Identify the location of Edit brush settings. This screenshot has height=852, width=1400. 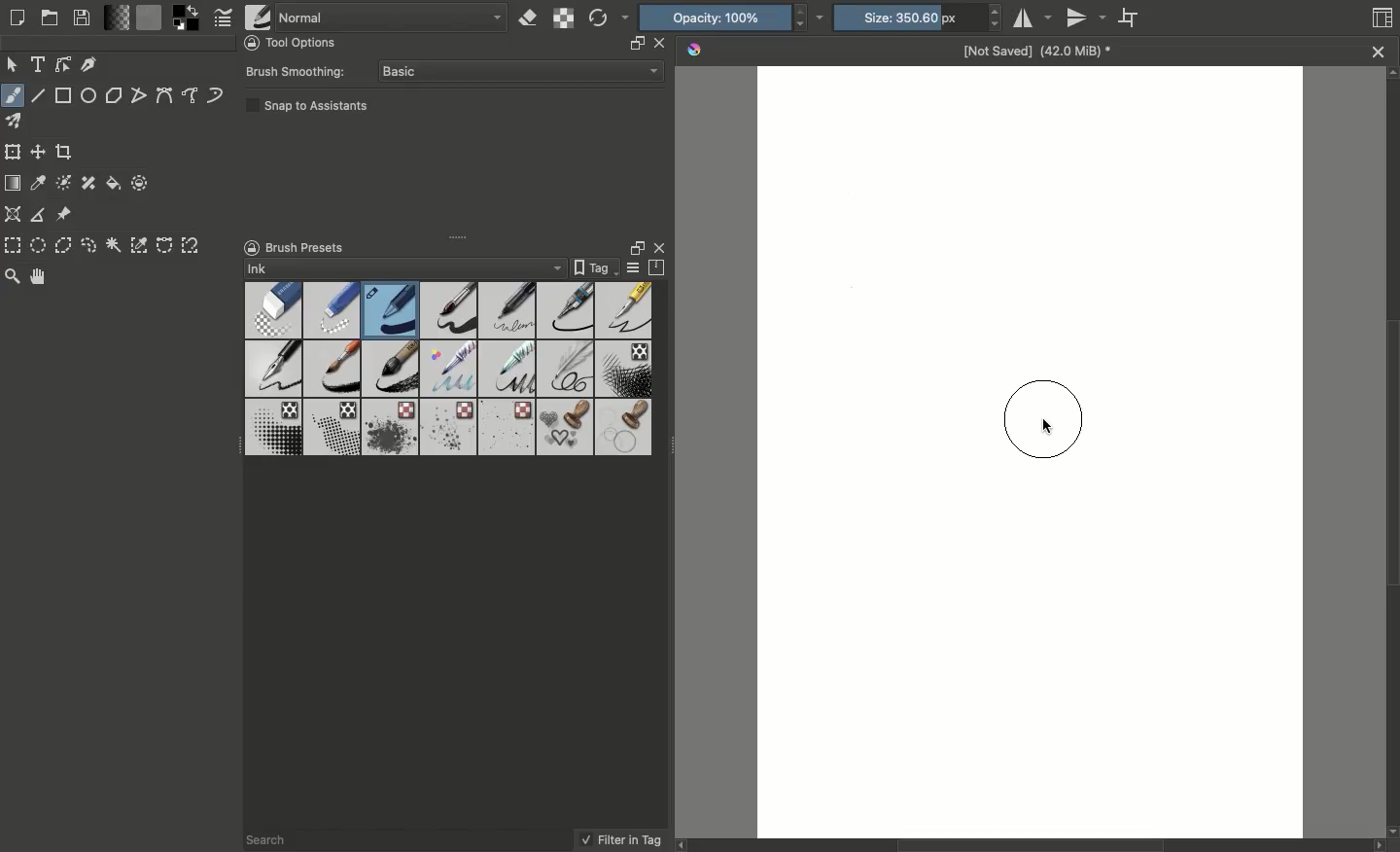
(227, 18).